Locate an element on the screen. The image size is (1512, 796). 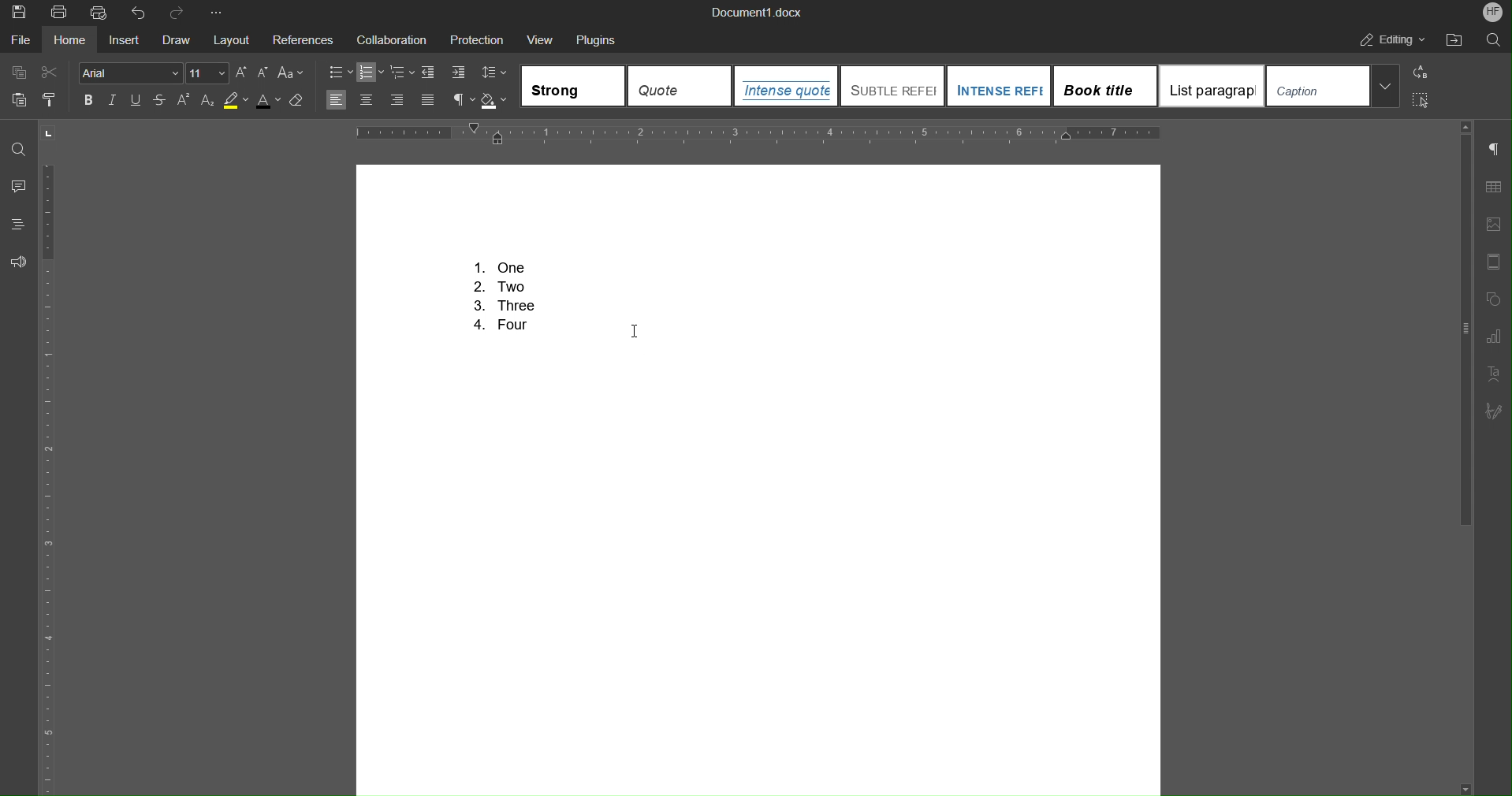
Font is located at coordinates (131, 73).